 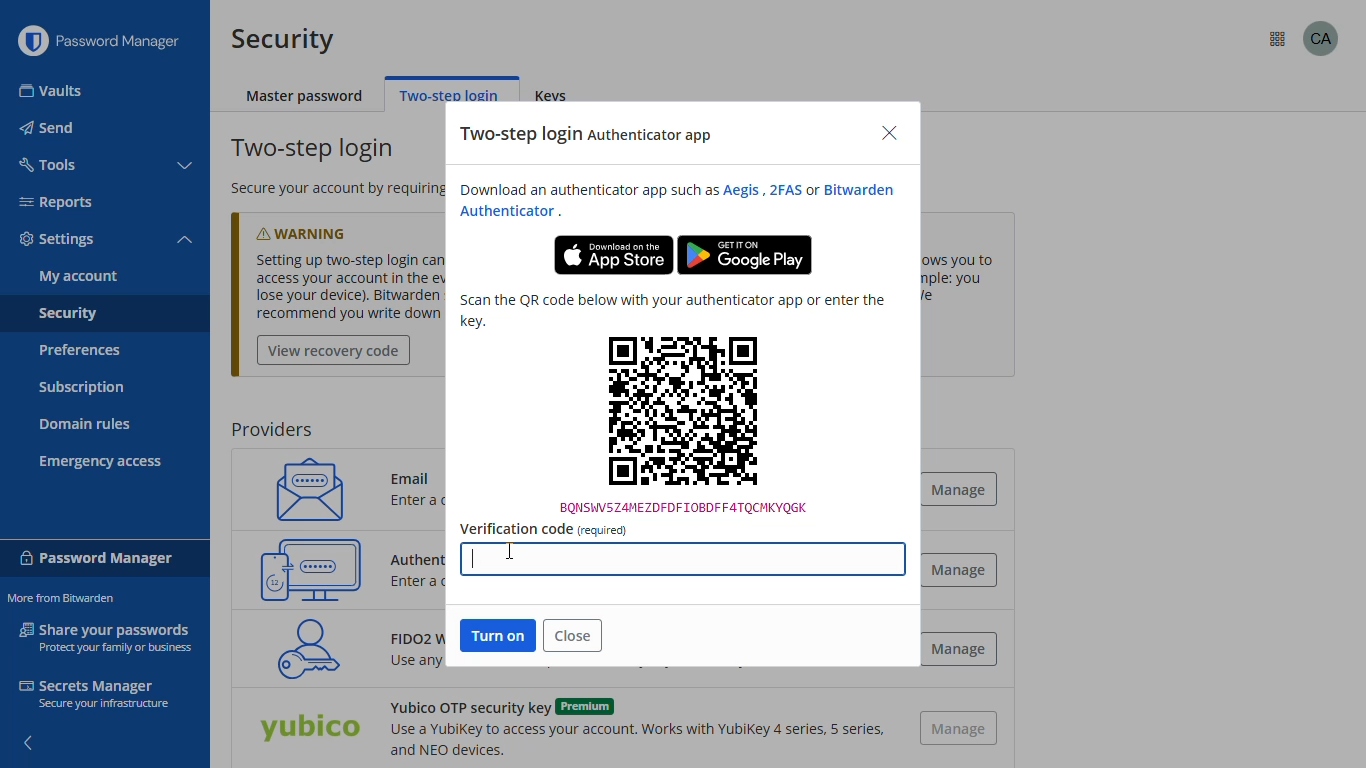 I want to click on Email, so click(x=417, y=474).